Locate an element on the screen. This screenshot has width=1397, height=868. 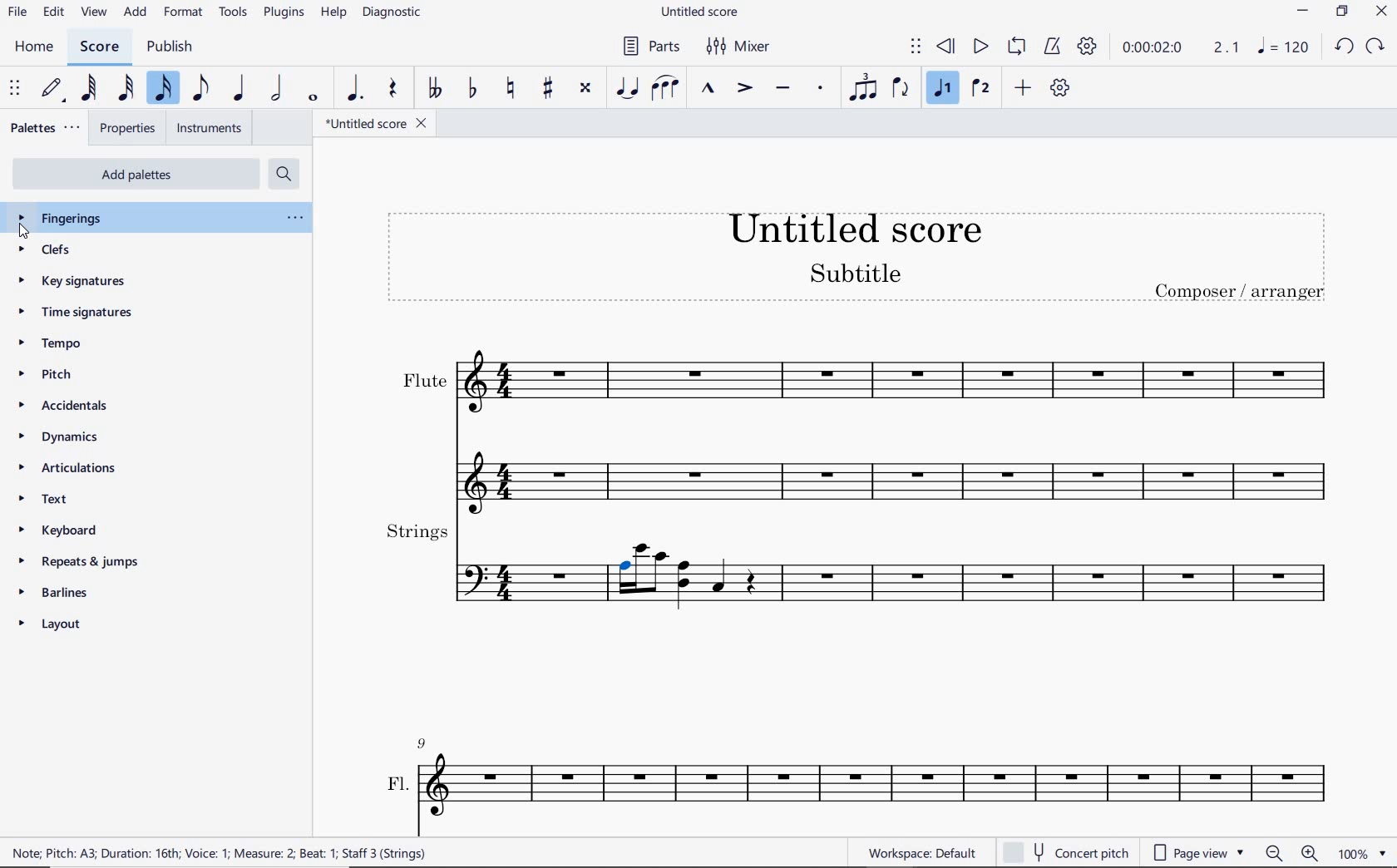
strings is located at coordinates (995, 565).